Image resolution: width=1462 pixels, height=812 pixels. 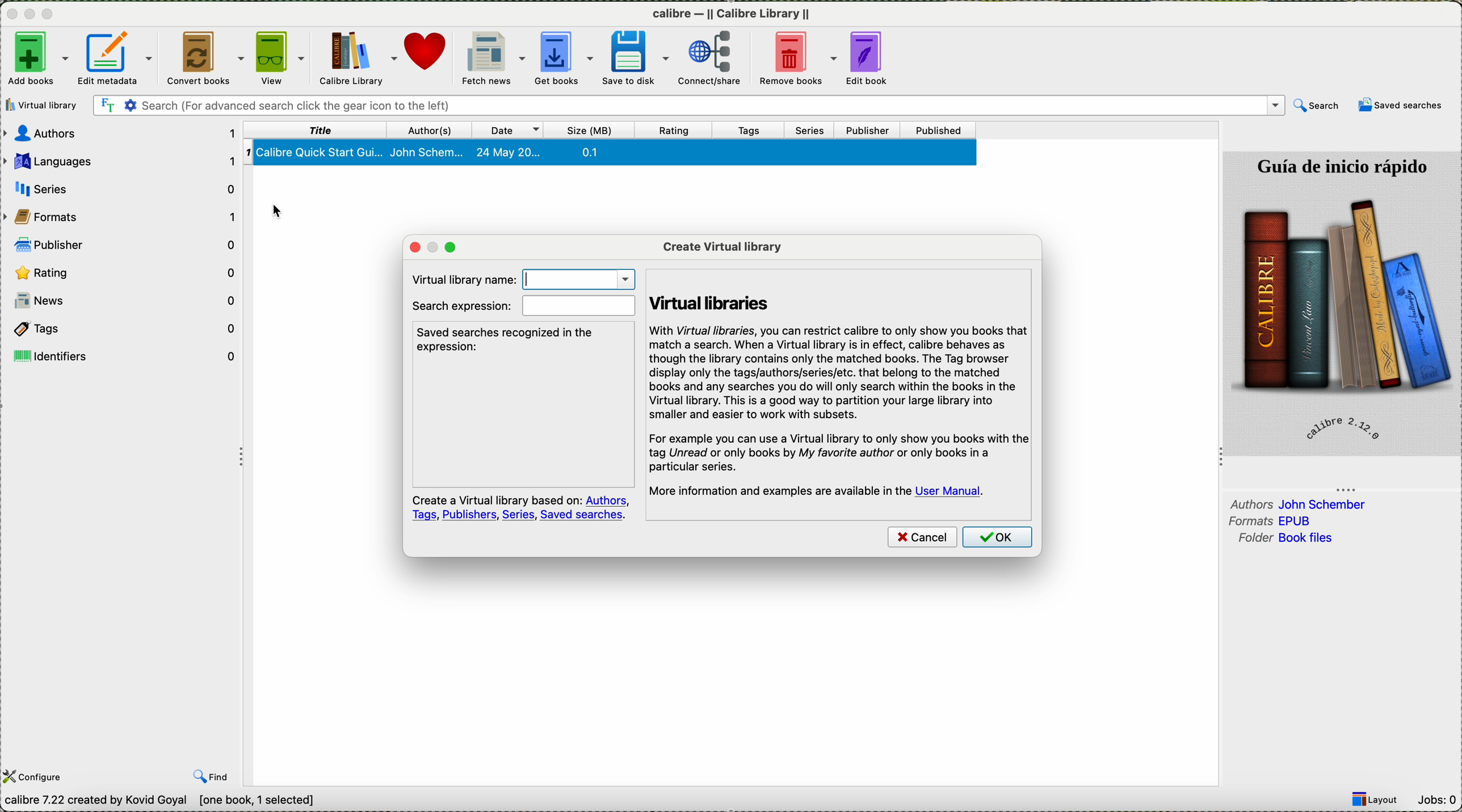 I want to click on calibre library, so click(x=360, y=58).